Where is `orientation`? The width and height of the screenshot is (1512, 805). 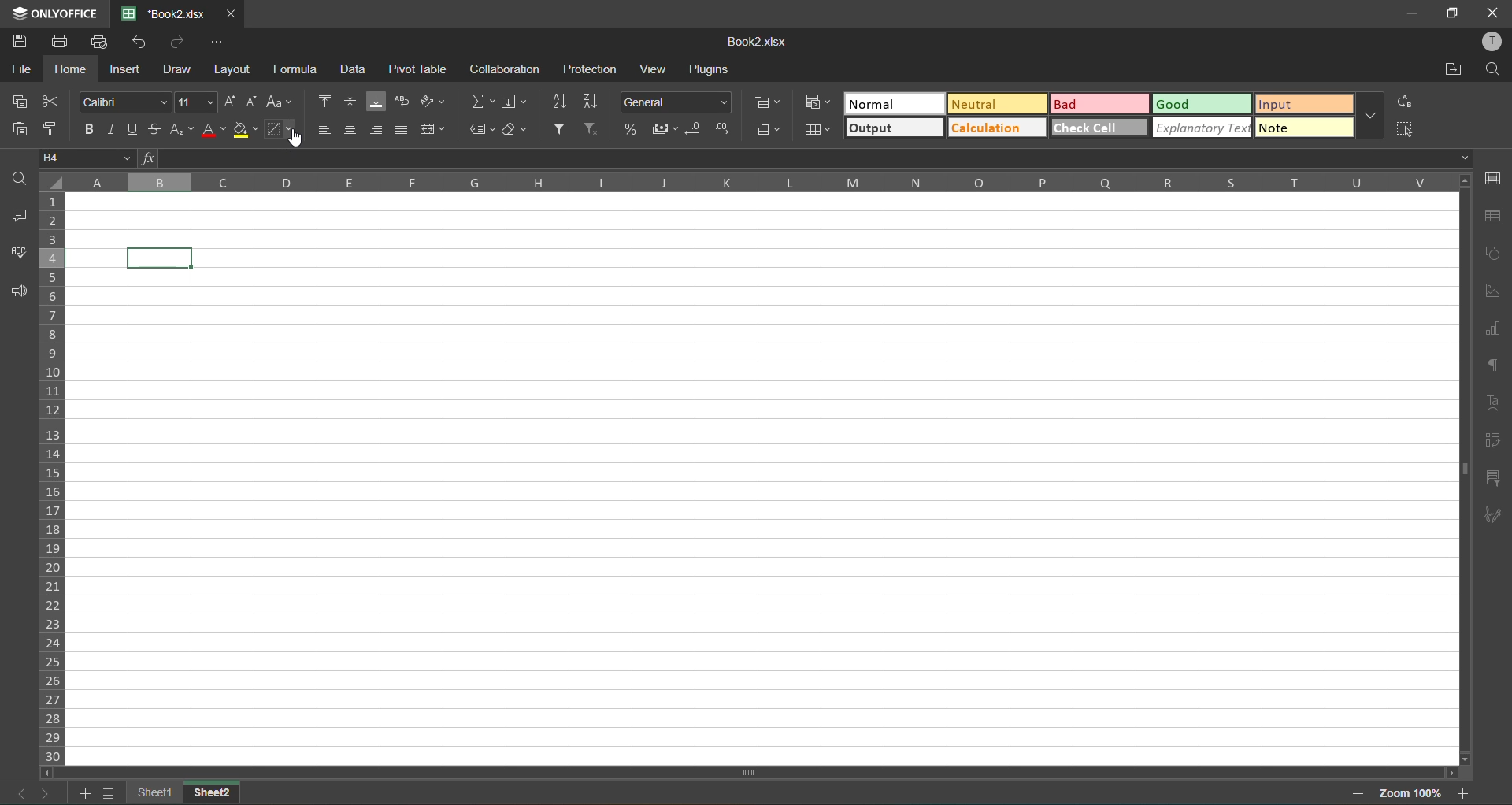 orientation is located at coordinates (432, 102).